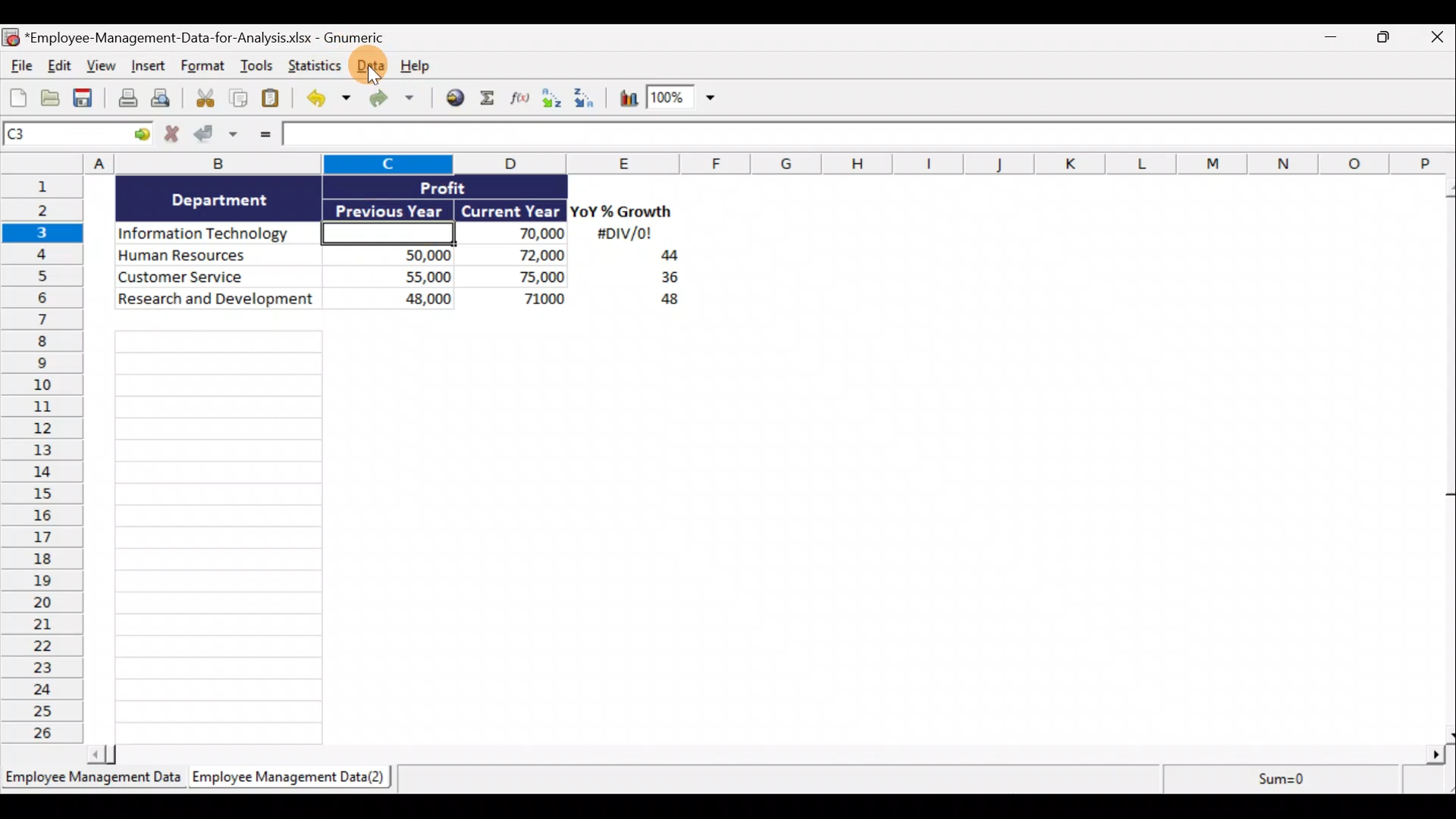 The height and width of the screenshot is (819, 1456). I want to click on #DIV/0!, so click(623, 234).